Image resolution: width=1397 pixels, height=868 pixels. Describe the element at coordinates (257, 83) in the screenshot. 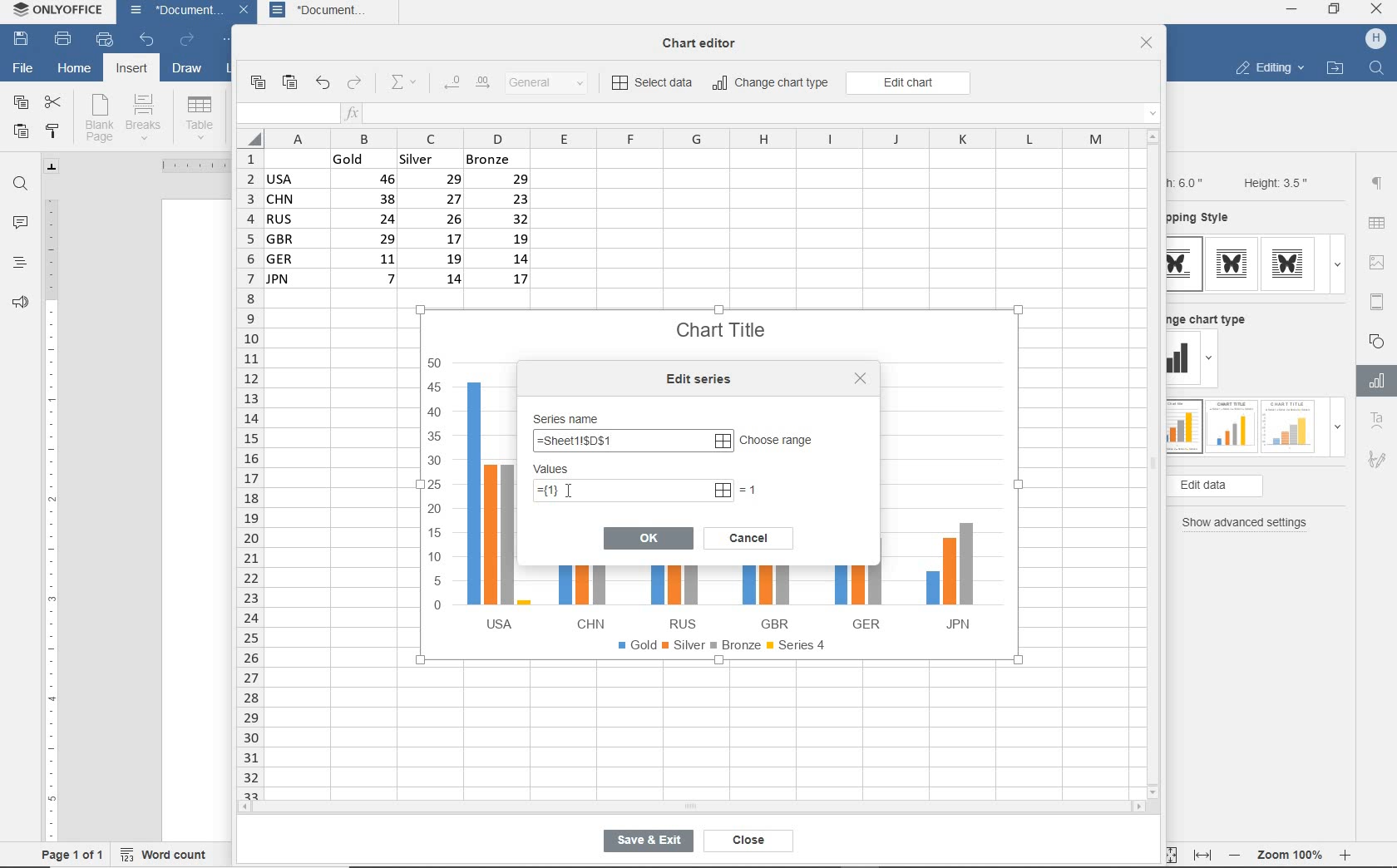

I see `copy` at that location.